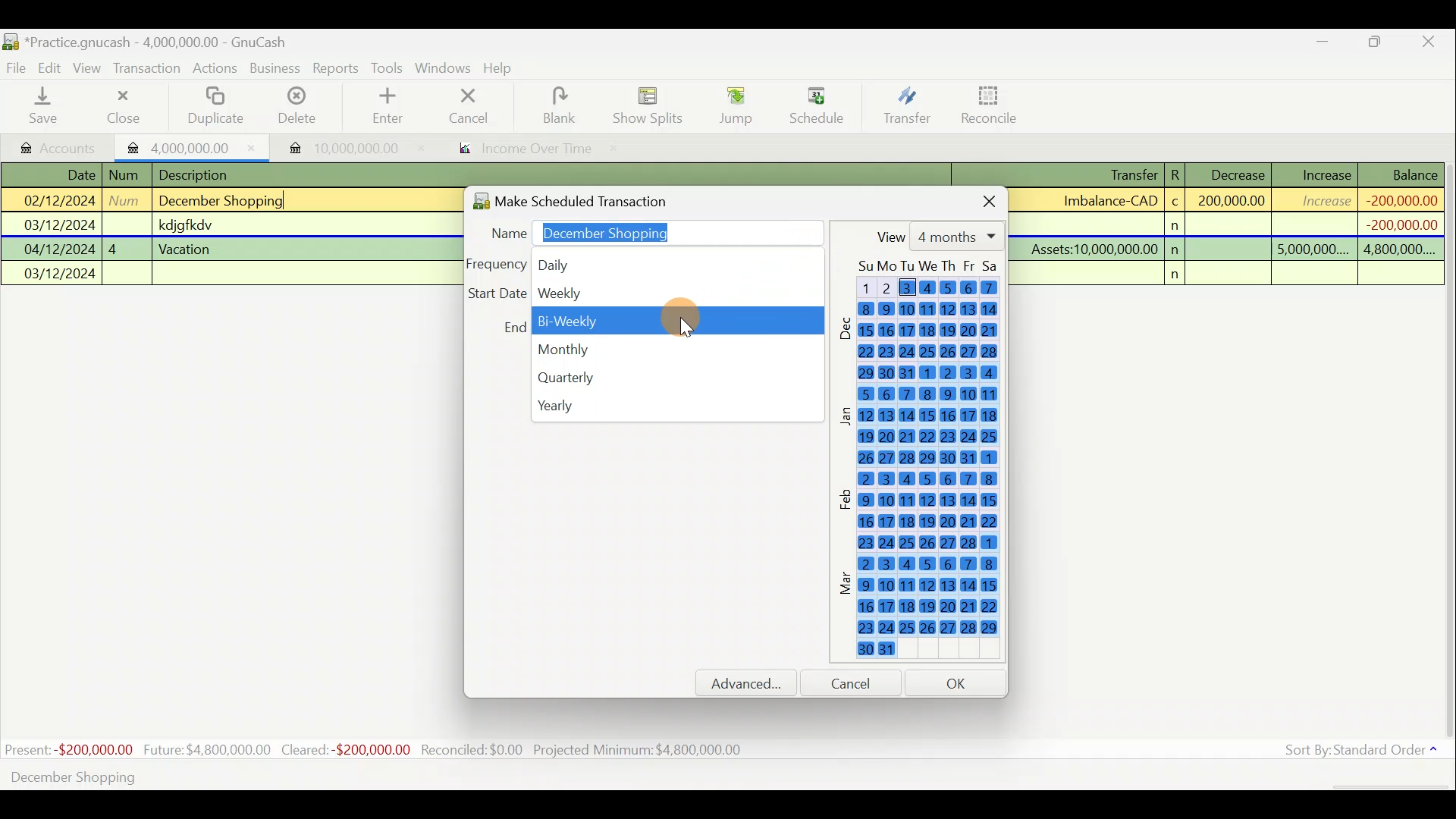 The image size is (1456, 819). Describe the element at coordinates (858, 682) in the screenshot. I see `Cancel` at that location.